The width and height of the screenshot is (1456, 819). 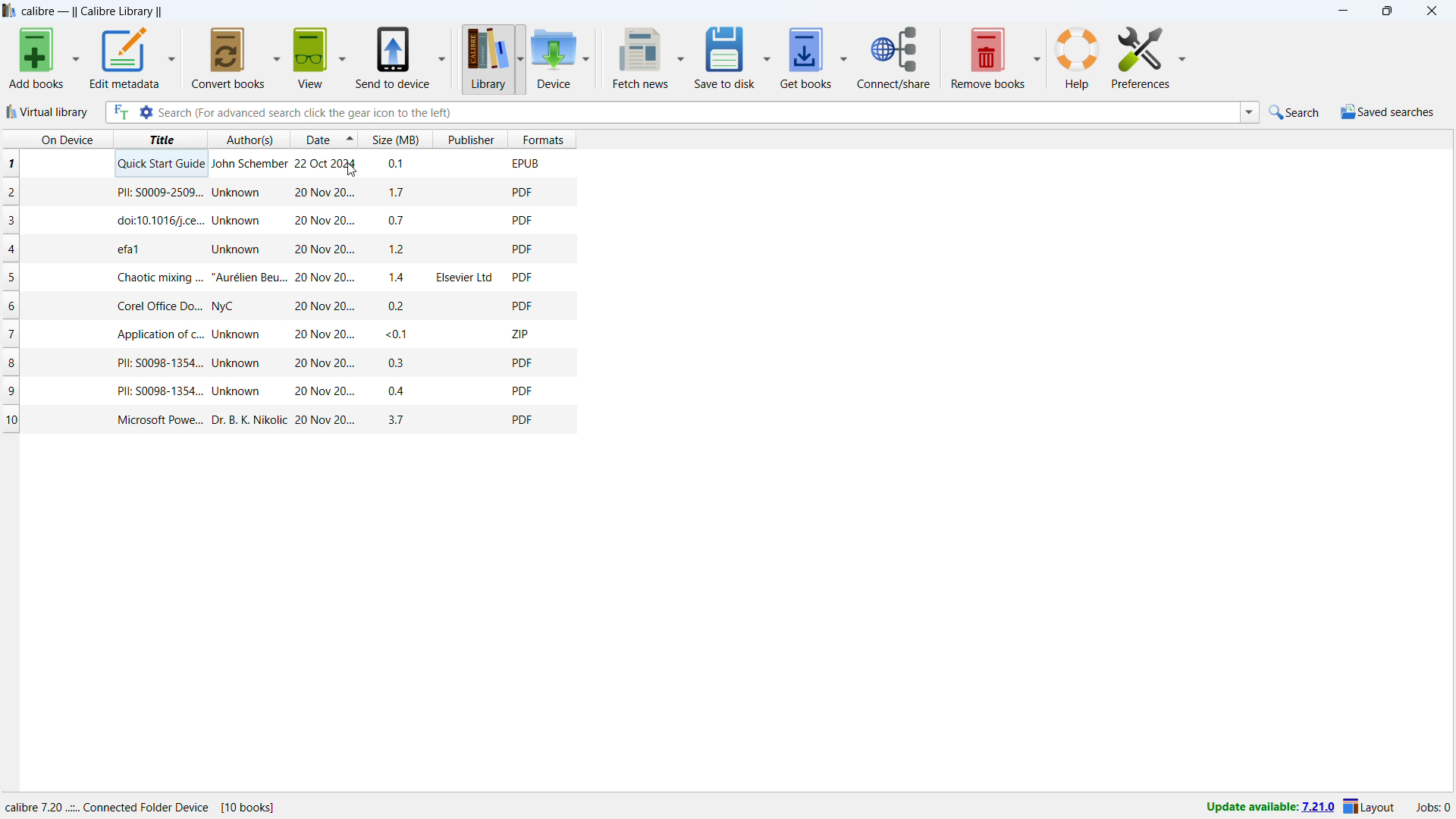 What do you see at coordinates (1386, 11) in the screenshot?
I see `maximize` at bounding box center [1386, 11].